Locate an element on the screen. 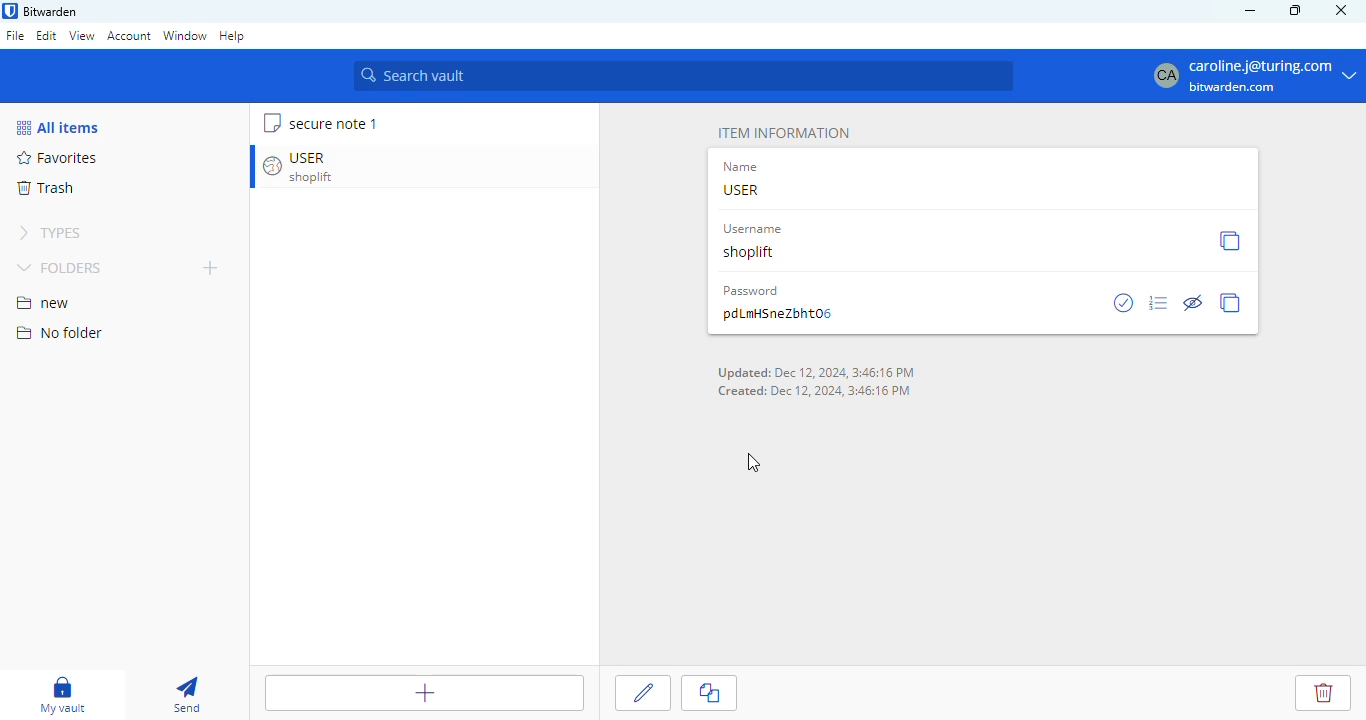 The width and height of the screenshot is (1366, 720). view is located at coordinates (82, 37).